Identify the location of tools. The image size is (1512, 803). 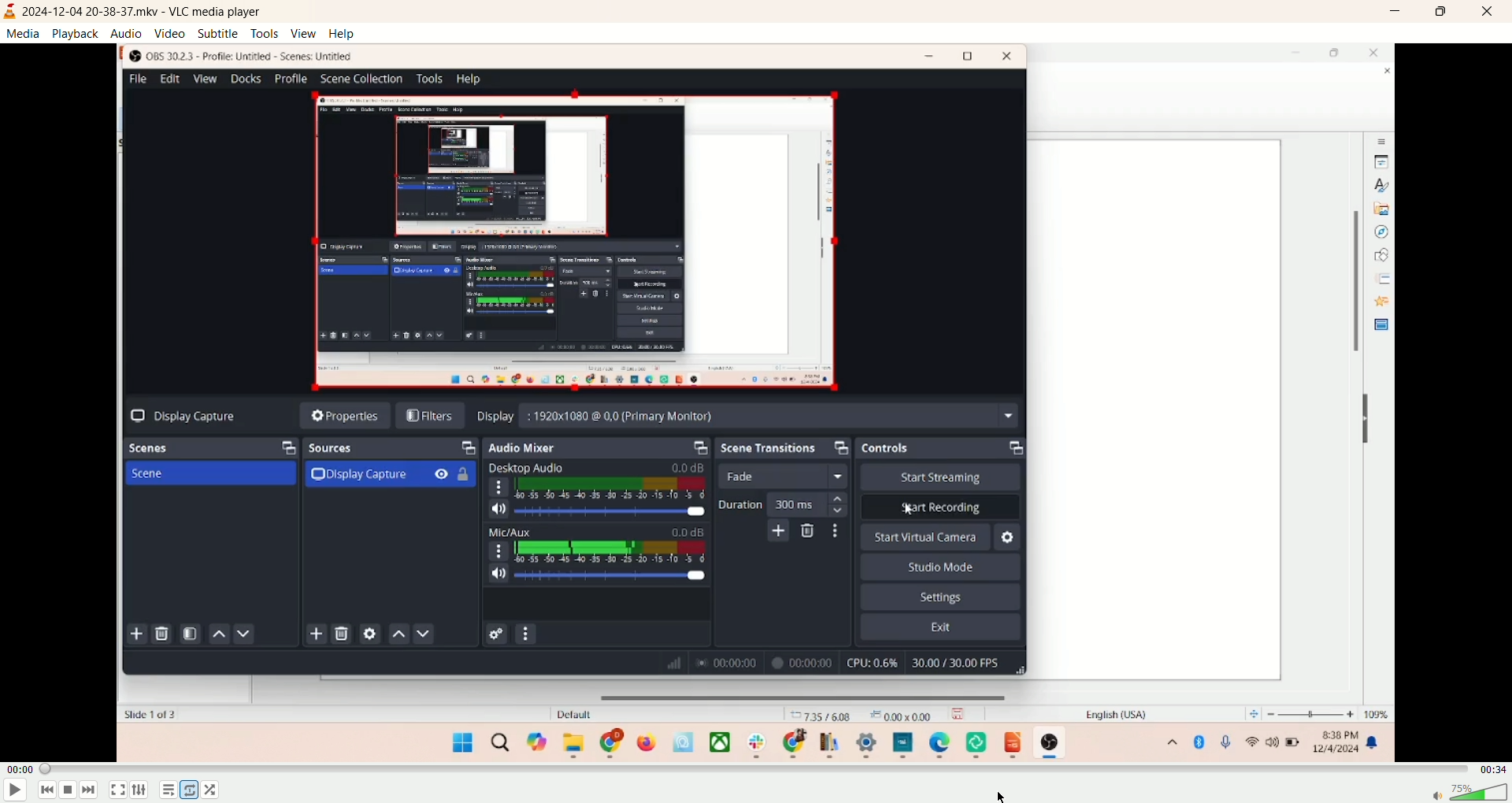
(265, 33).